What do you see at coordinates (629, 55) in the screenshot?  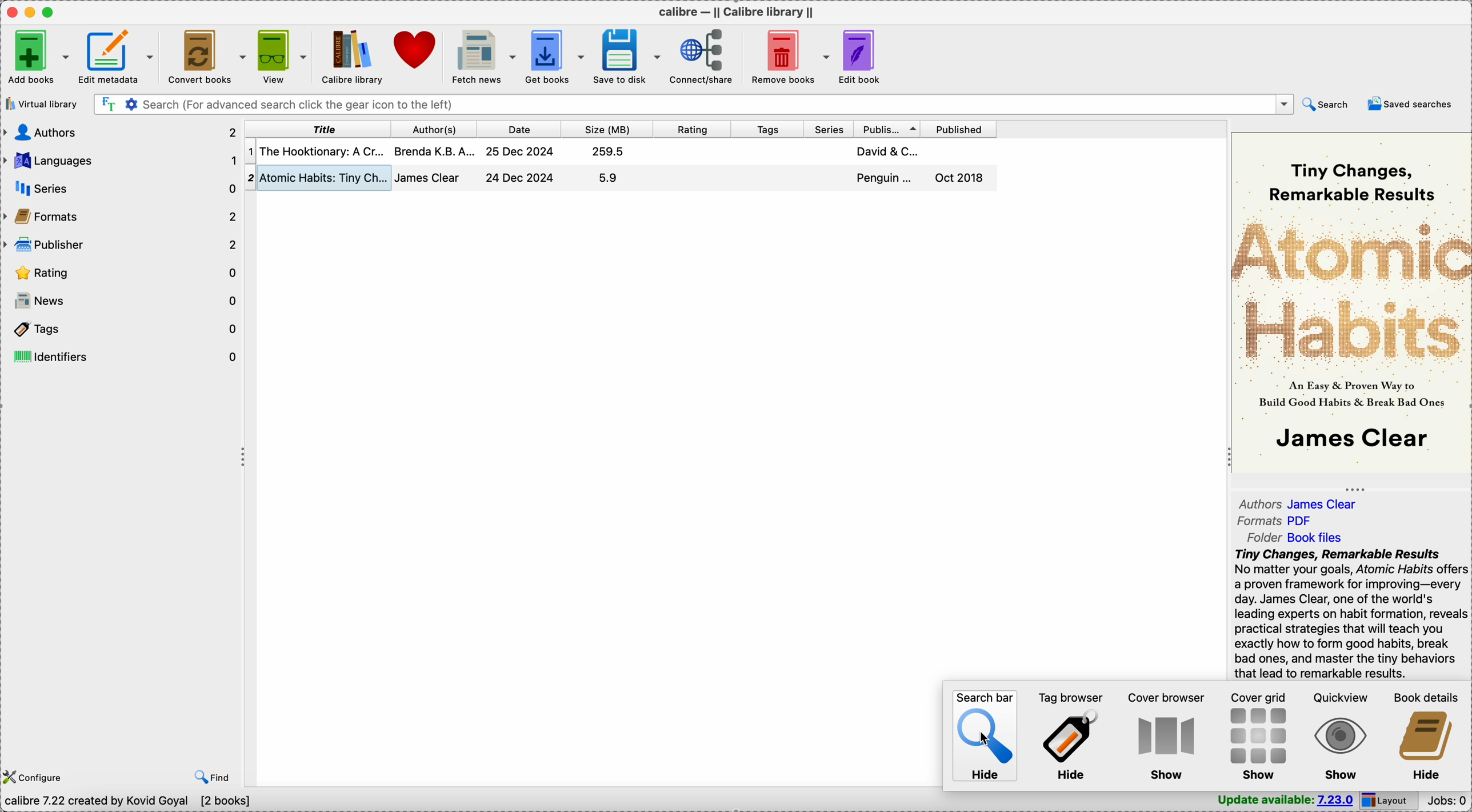 I see `save to disk` at bounding box center [629, 55].